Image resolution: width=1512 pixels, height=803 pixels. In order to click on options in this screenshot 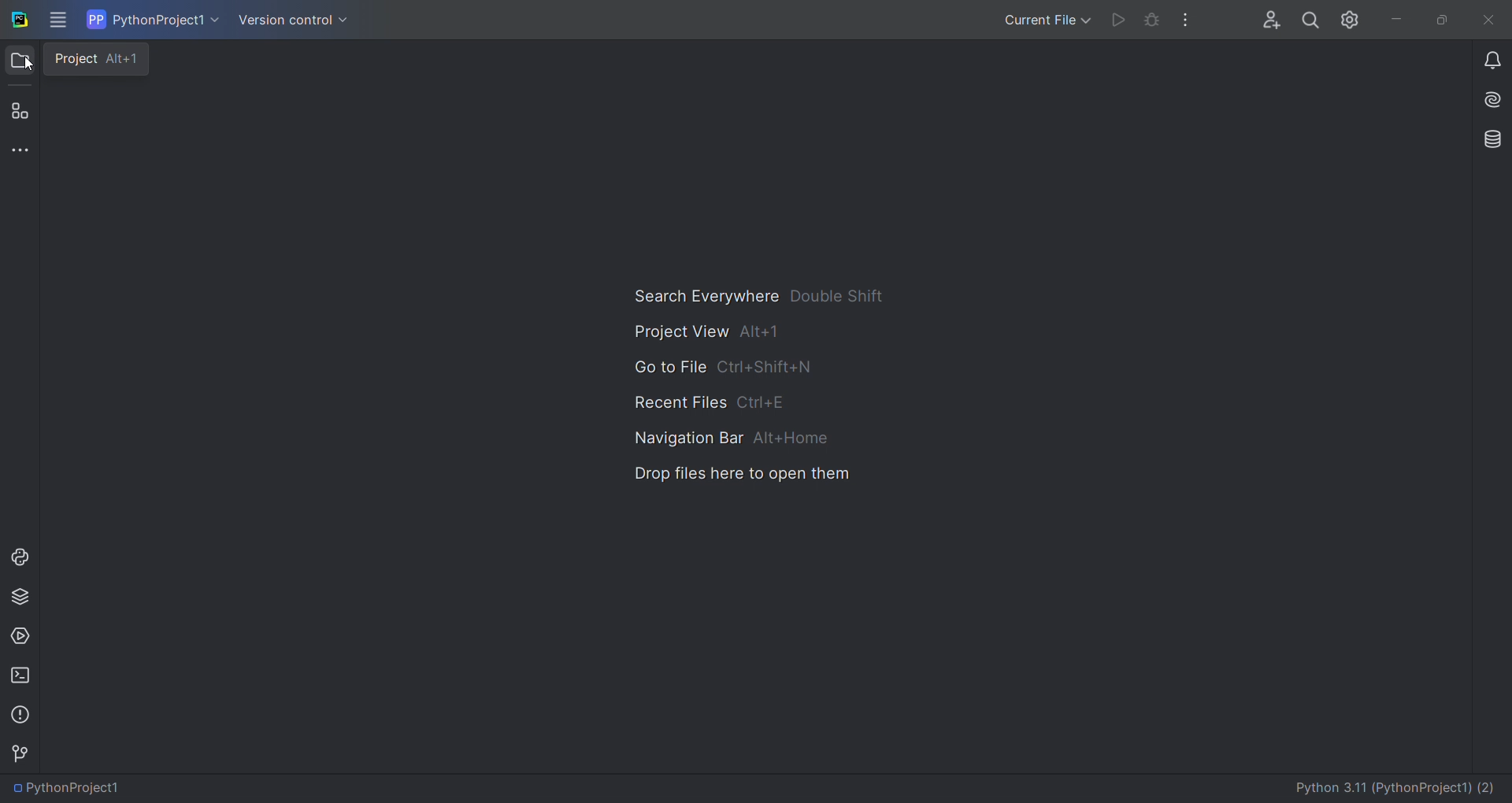, I will do `click(1182, 20)`.